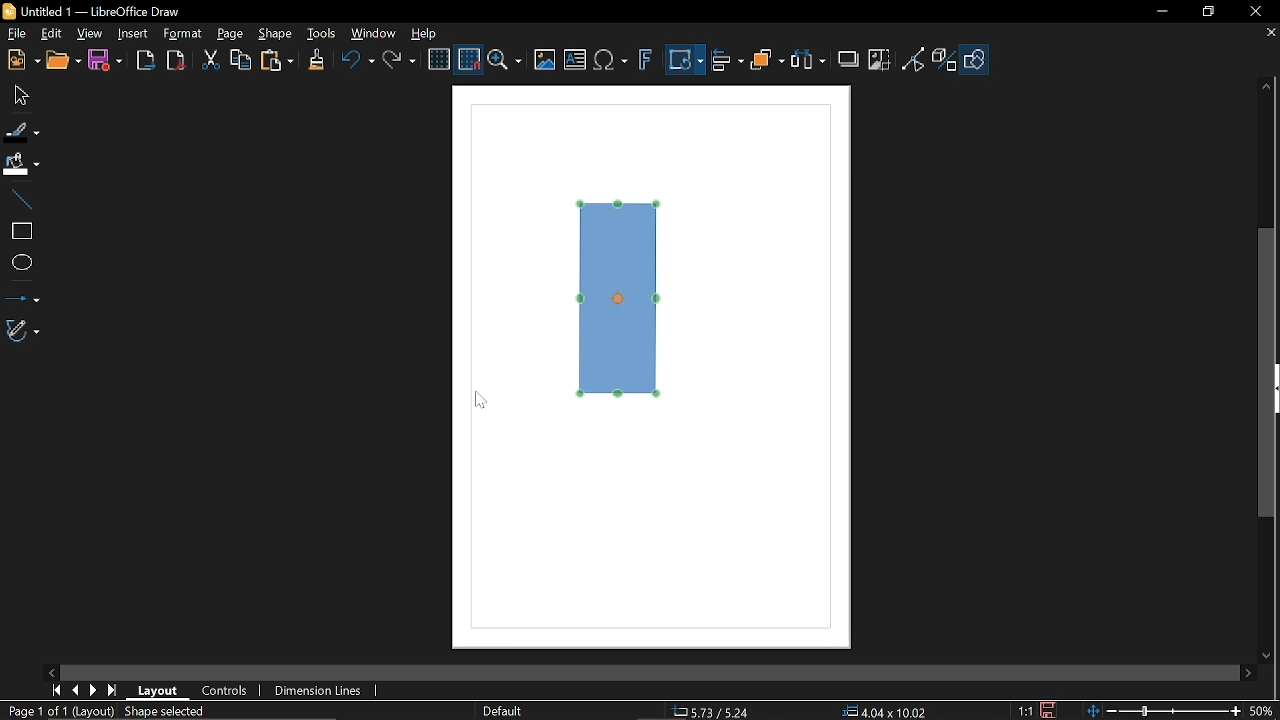  I want to click on 5.73/5.24 (Cursor Position), so click(714, 712).